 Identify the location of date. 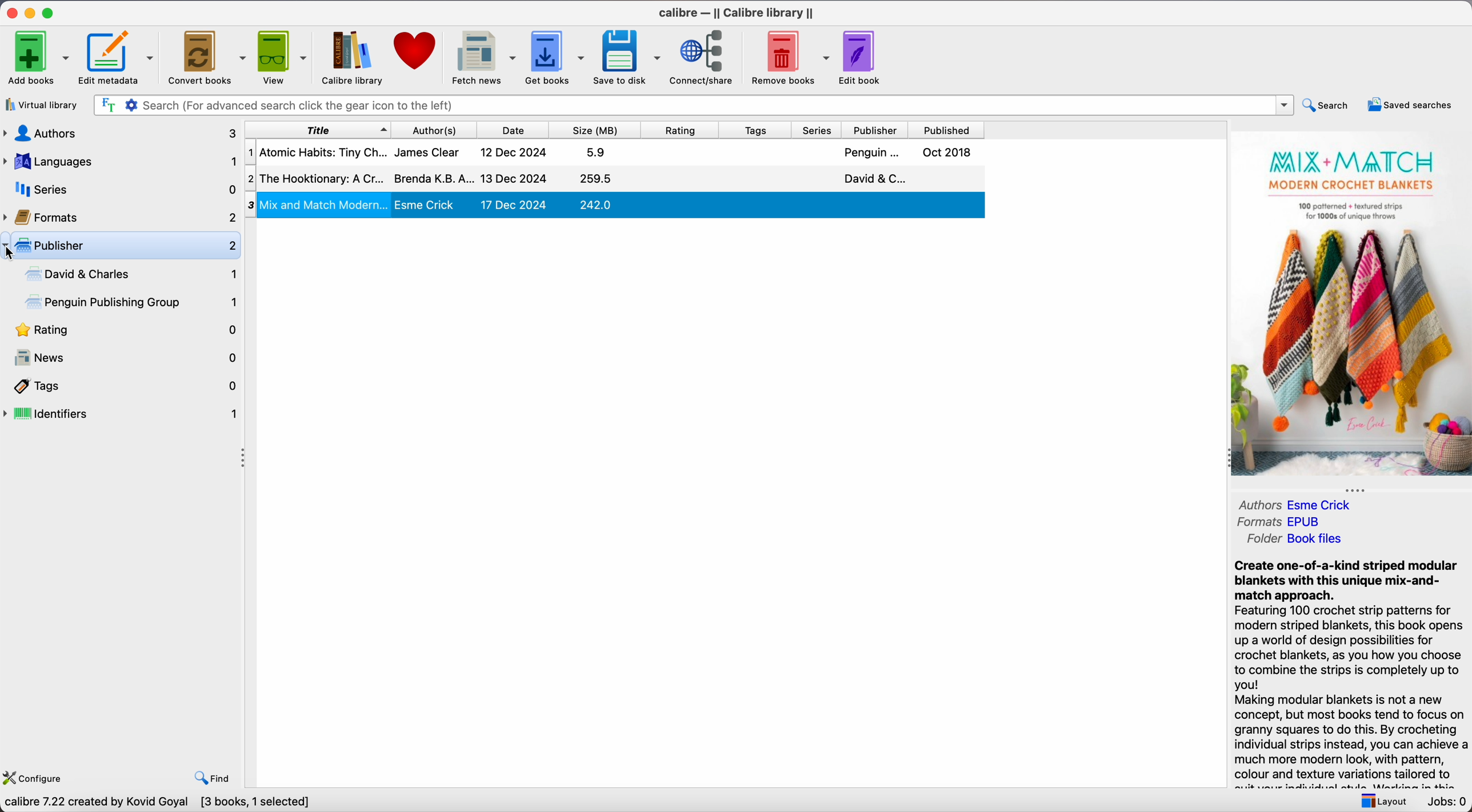
(517, 130).